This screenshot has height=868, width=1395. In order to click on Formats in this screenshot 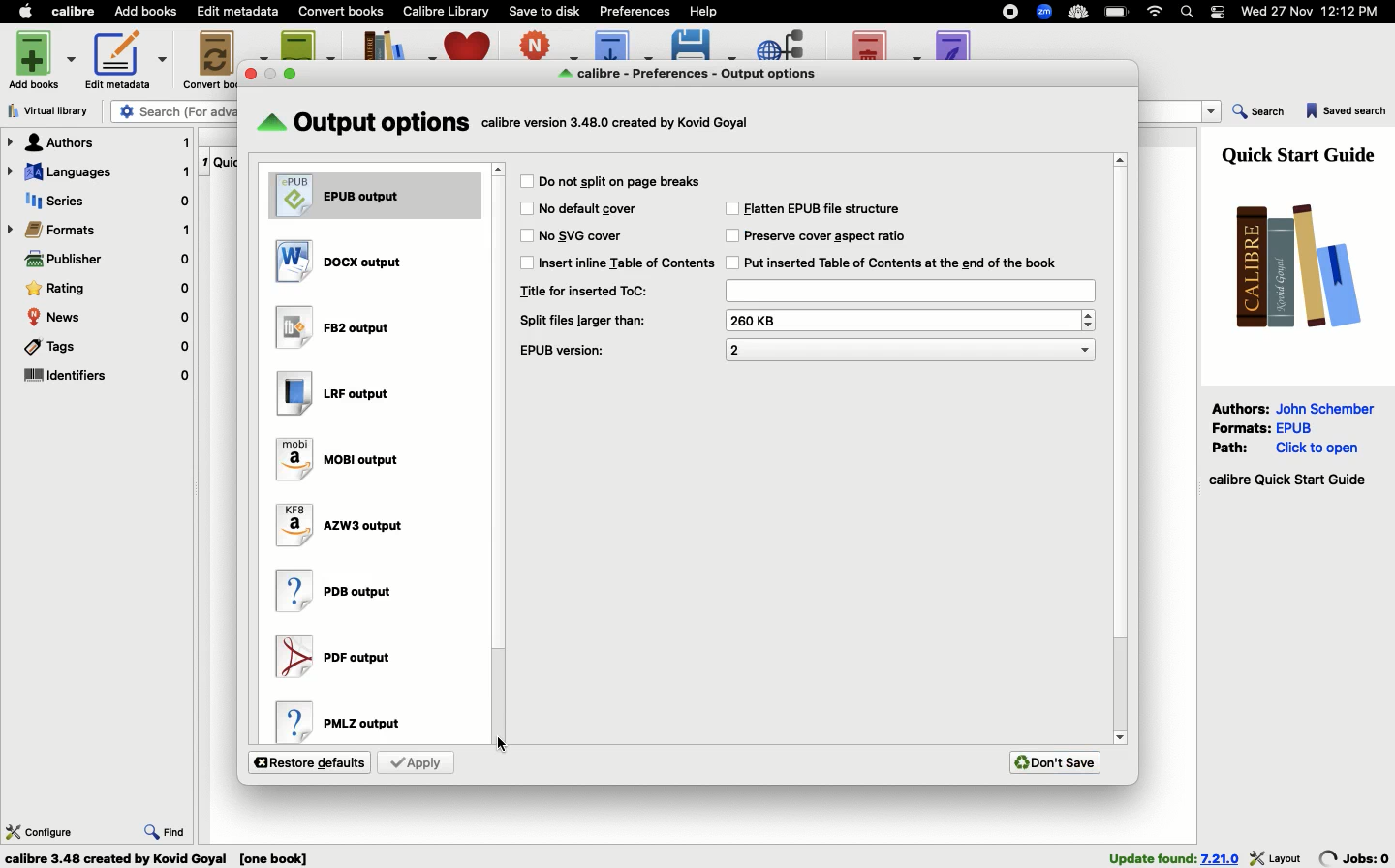, I will do `click(1242, 426)`.